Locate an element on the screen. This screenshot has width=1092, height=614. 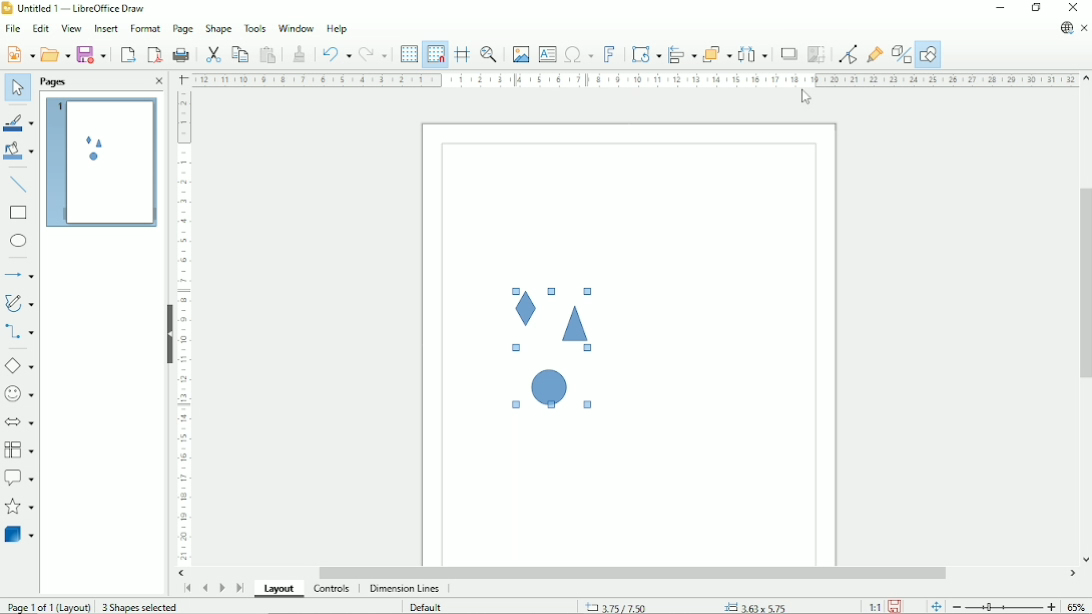
Insert is located at coordinates (105, 28).